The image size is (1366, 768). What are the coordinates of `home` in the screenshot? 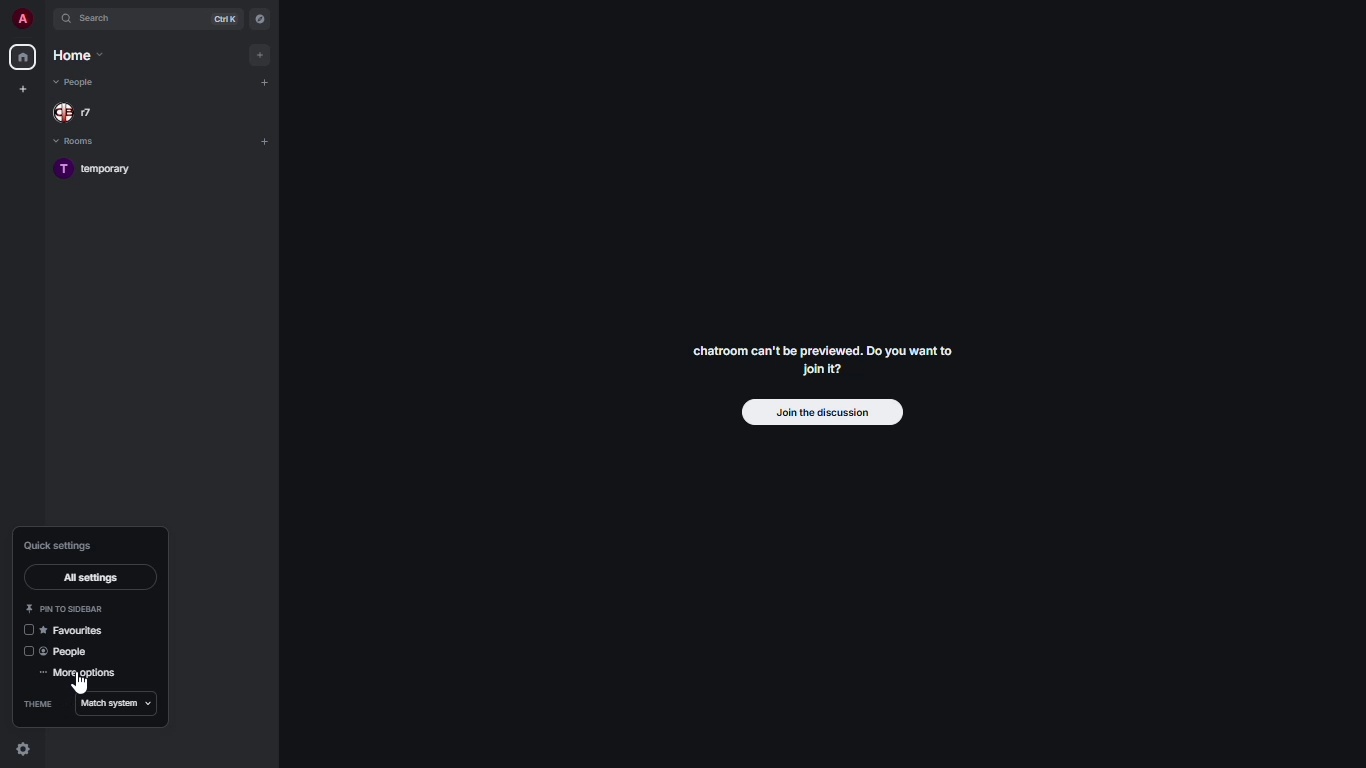 It's located at (80, 53).